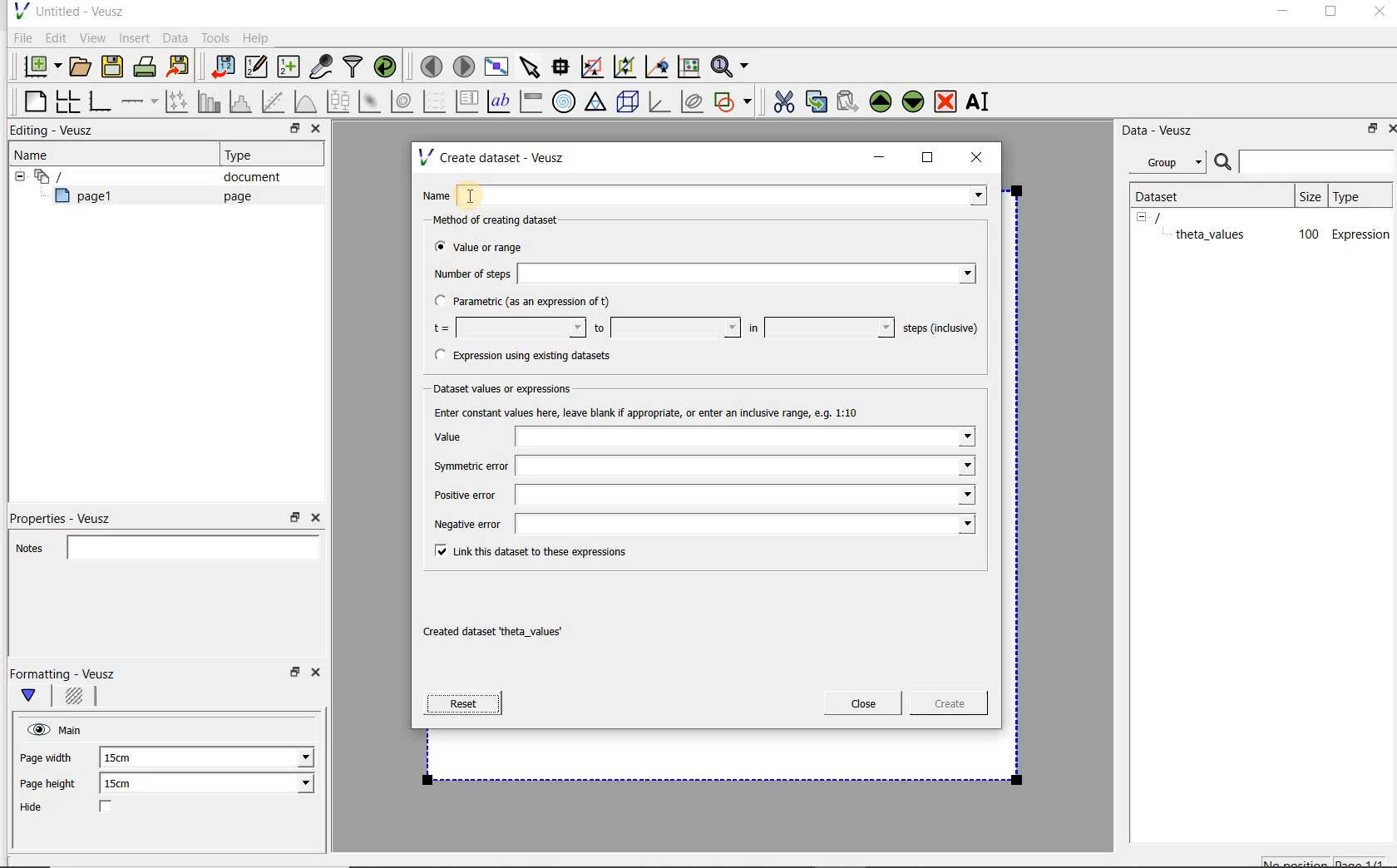 The width and height of the screenshot is (1397, 868). Describe the element at coordinates (210, 101) in the screenshot. I see `plot bar charts` at that location.